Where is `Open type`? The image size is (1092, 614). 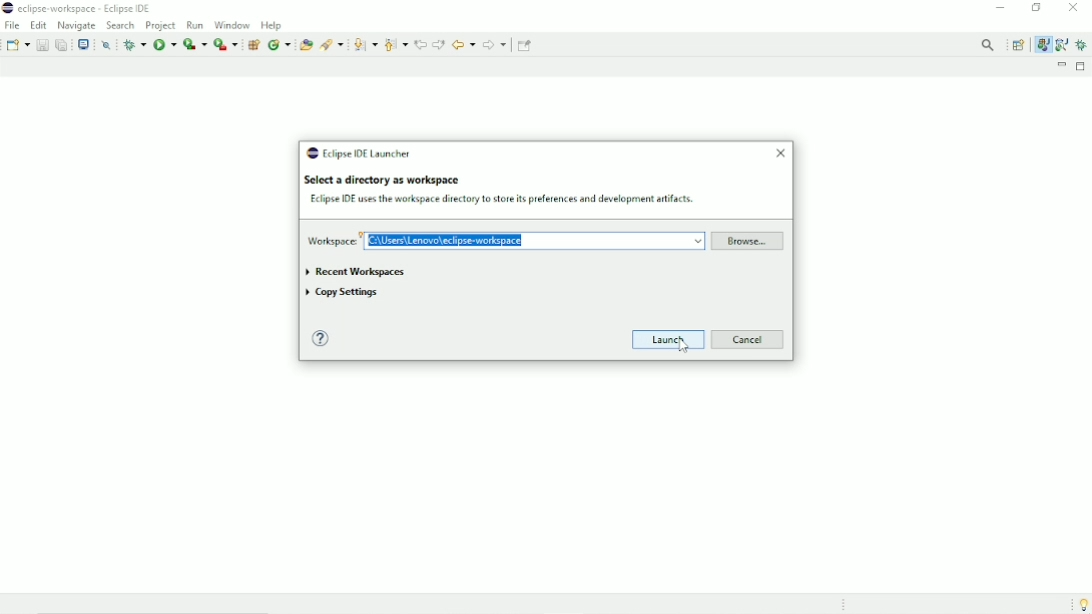 Open type is located at coordinates (305, 44).